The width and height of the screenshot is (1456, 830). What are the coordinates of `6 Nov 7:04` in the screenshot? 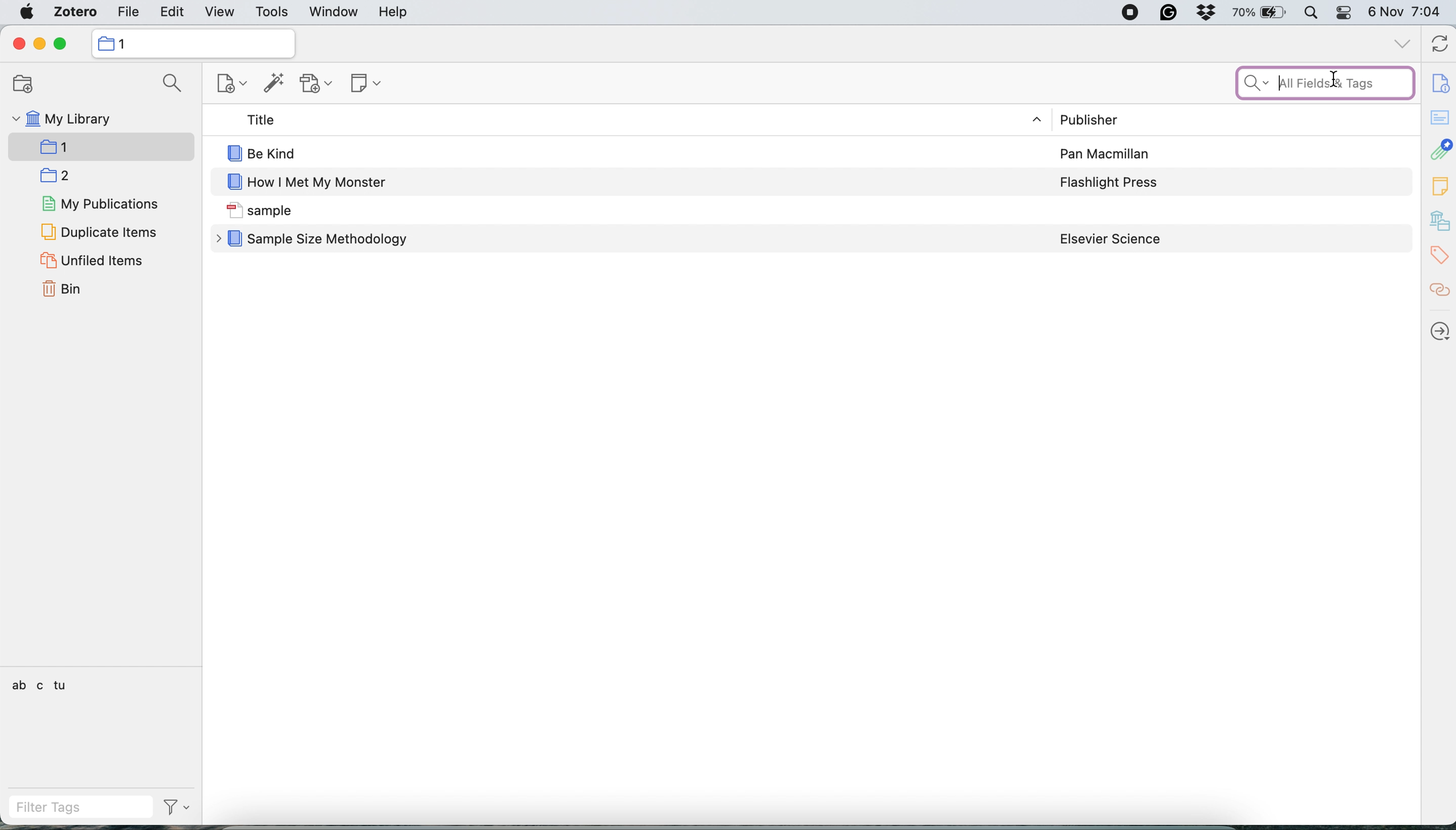 It's located at (1407, 12).